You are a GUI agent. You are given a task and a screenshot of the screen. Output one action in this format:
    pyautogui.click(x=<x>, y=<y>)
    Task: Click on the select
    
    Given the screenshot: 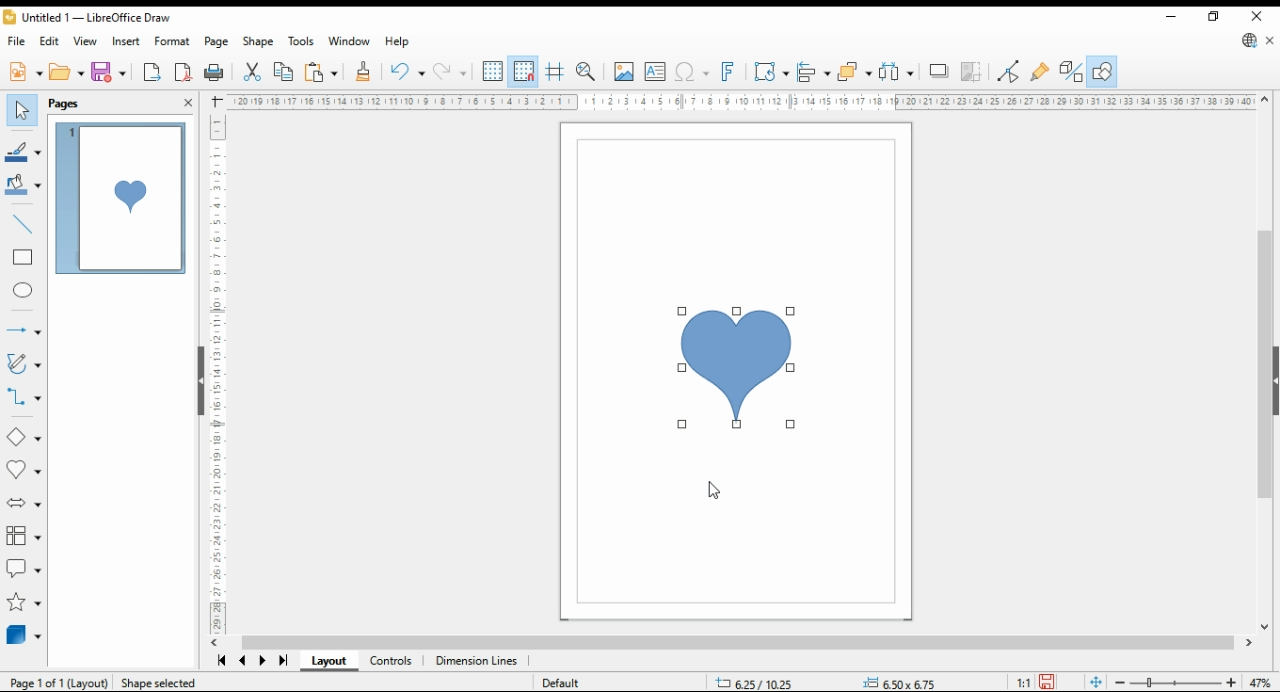 What is the action you would take?
    pyautogui.click(x=22, y=109)
    